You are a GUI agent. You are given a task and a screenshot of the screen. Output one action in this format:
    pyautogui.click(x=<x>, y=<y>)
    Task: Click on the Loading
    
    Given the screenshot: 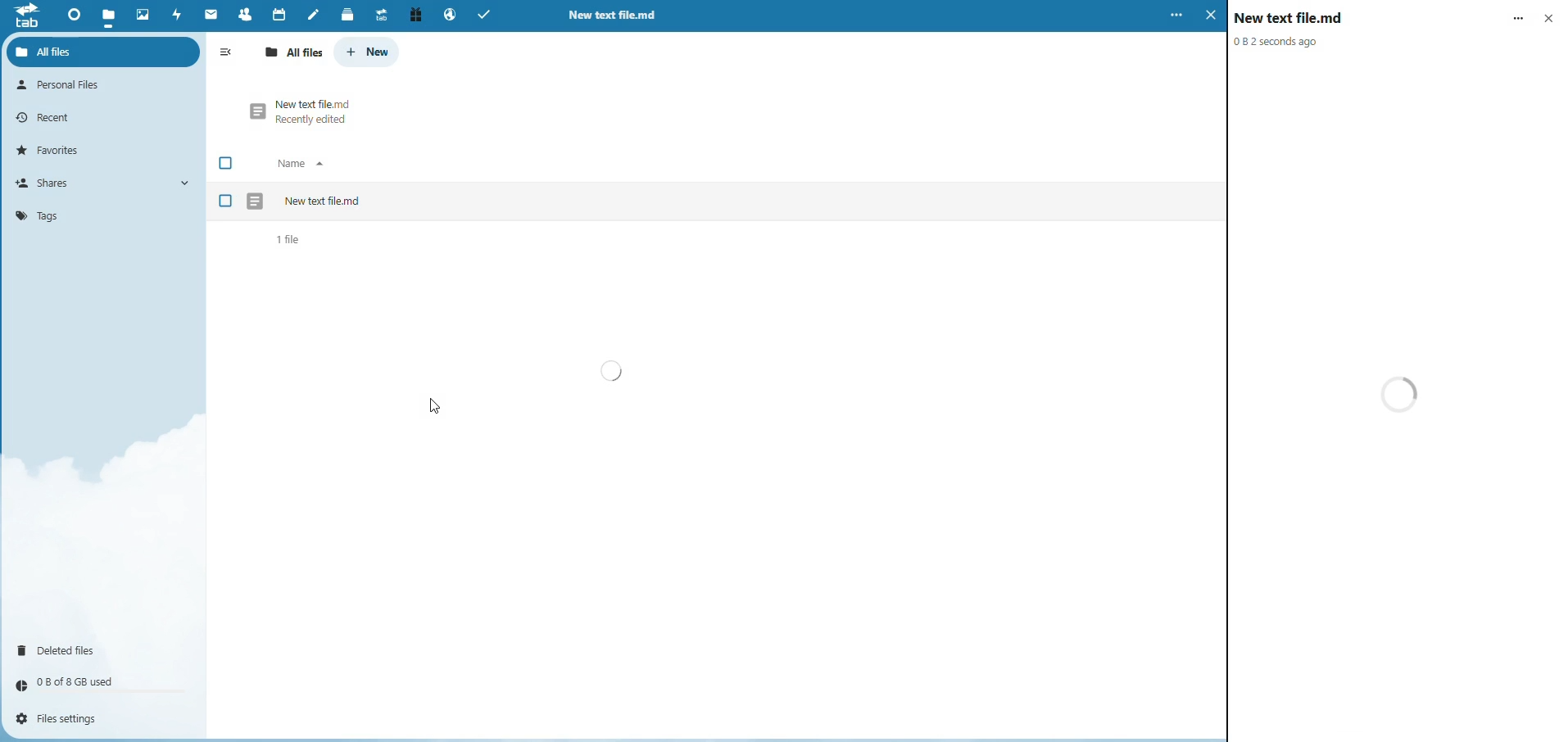 What is the action you would take?
    pyautogui.click(x=1403, y=394)
    